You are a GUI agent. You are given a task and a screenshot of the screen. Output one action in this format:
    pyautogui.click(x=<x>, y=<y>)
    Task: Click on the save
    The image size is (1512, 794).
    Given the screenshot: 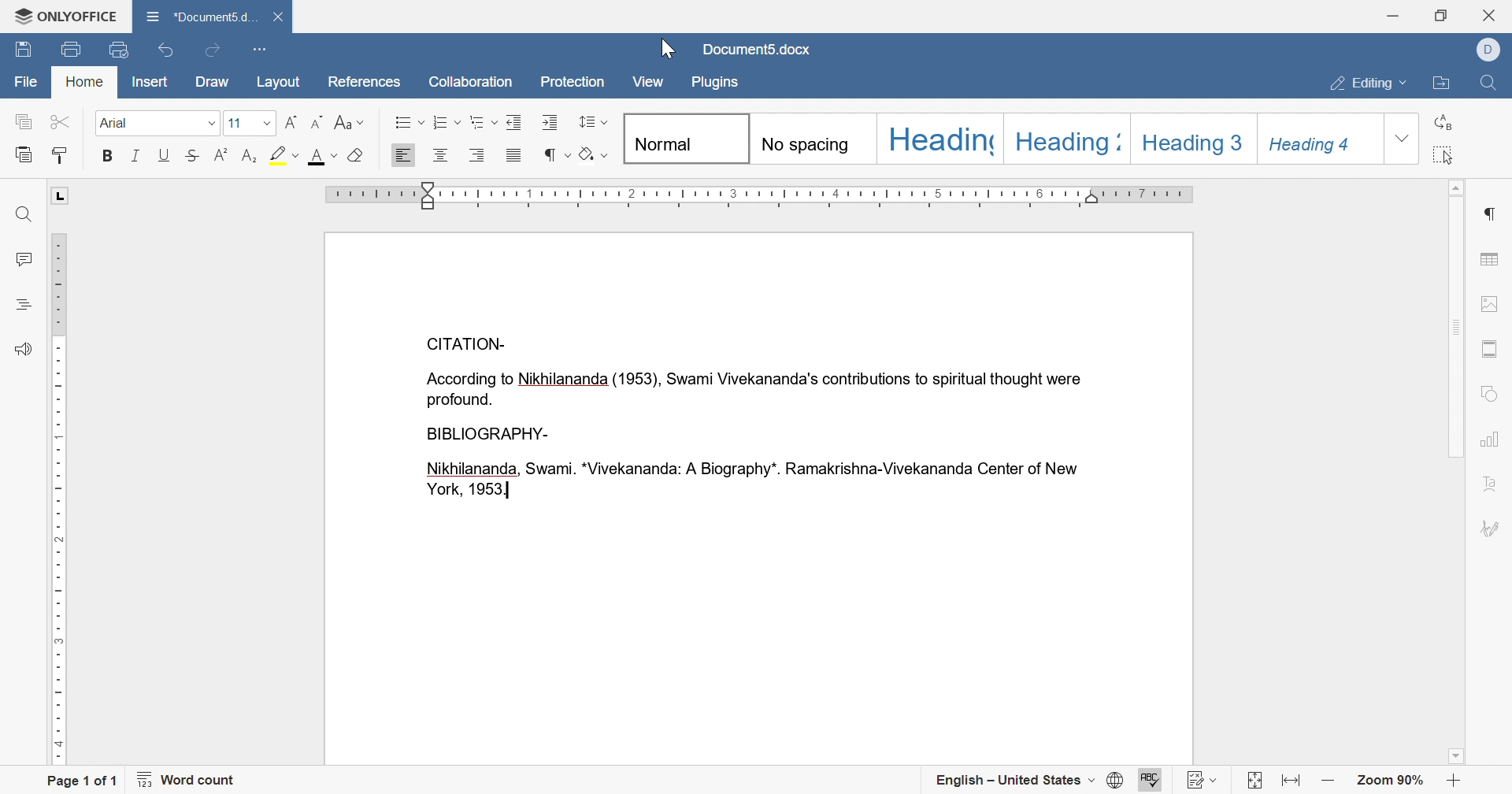 What is the action you would take?
    pyautogui.click(x=23, y=52)
    